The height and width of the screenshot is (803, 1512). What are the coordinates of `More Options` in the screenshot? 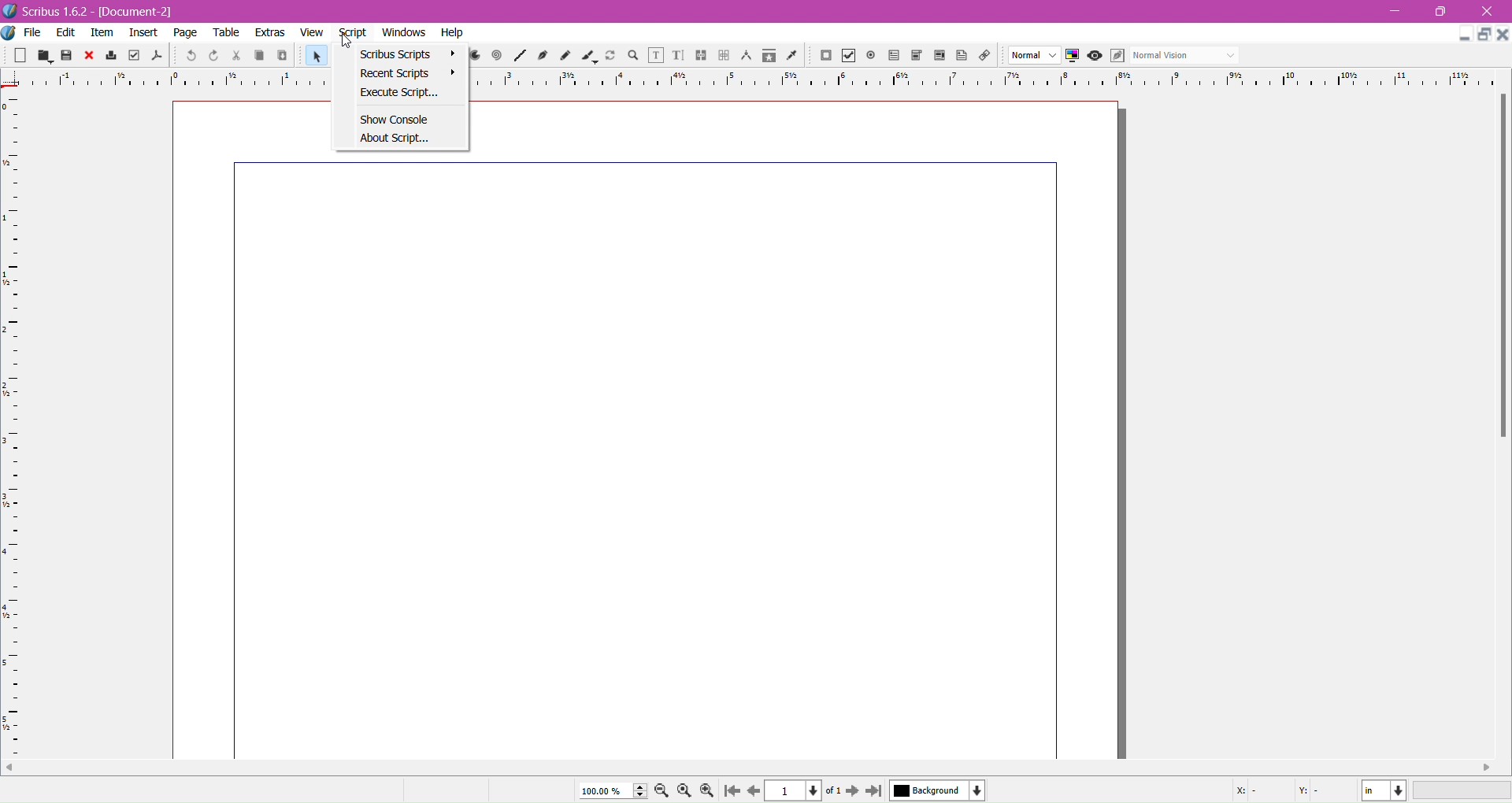 It's located at (9, 34).